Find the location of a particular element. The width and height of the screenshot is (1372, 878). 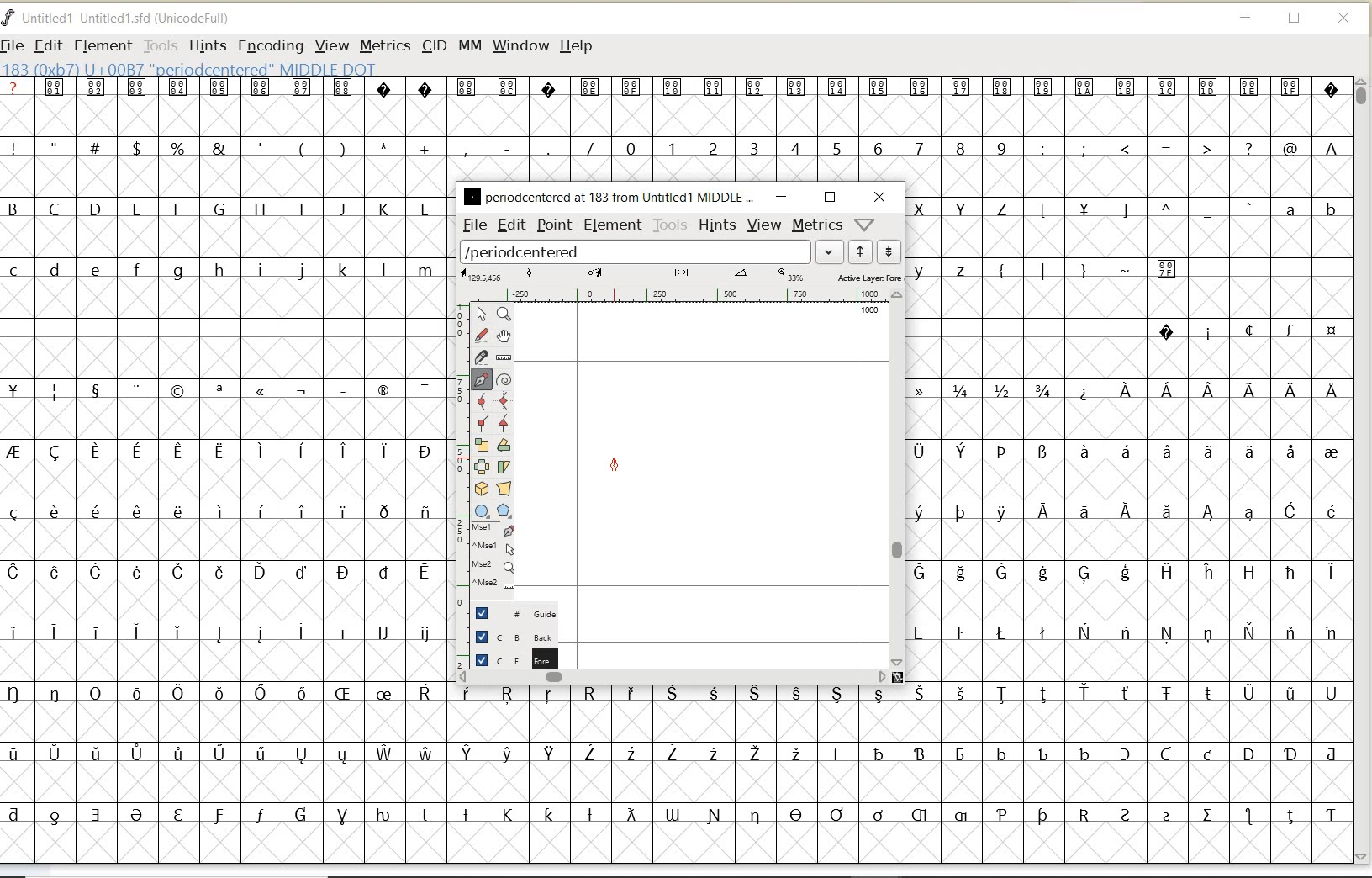

TOOLS is located at coordinates (161, 45).